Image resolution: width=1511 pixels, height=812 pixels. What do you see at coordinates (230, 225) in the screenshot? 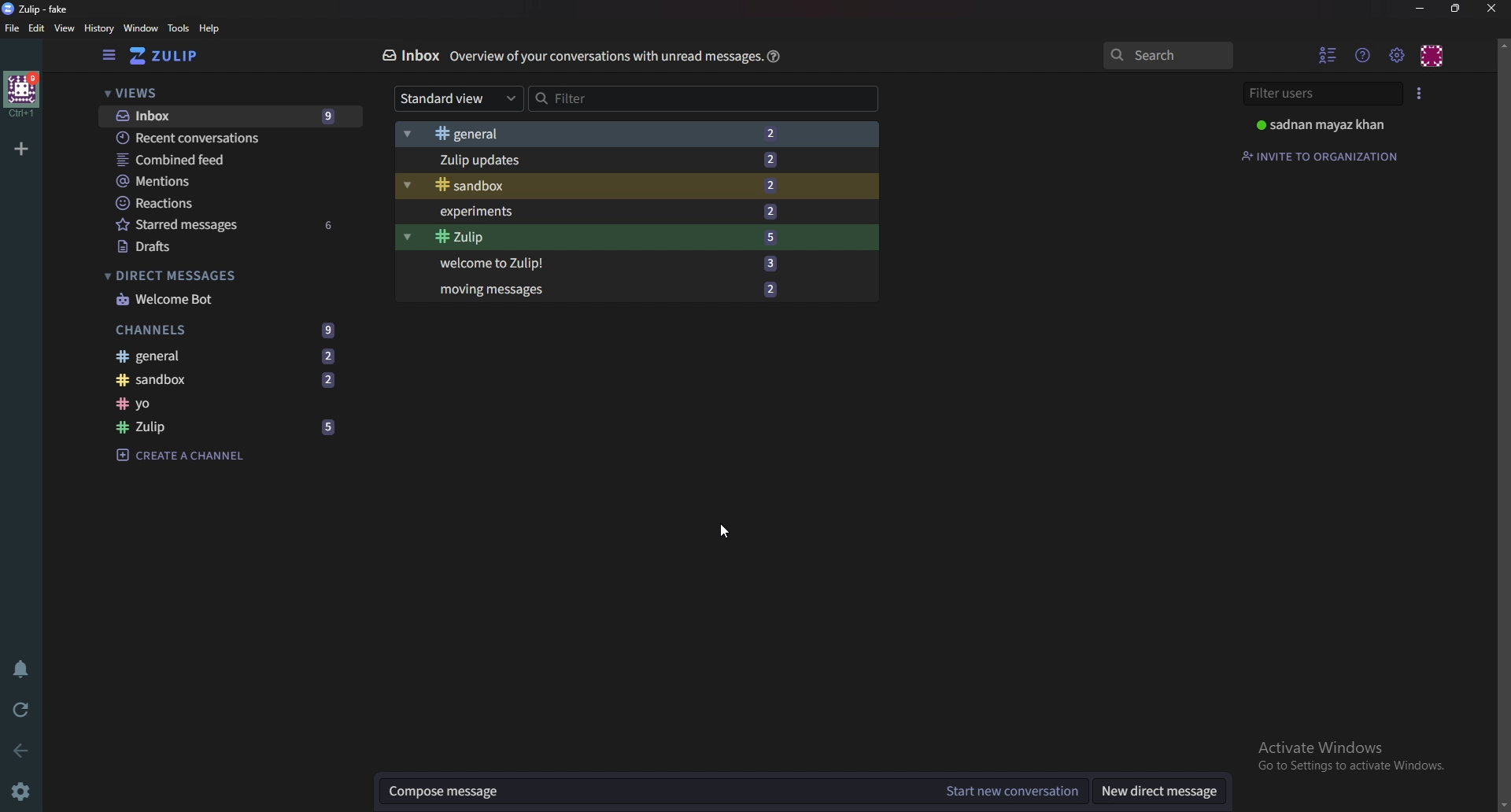
I see `starred messages` at bounding box center [230, 225].